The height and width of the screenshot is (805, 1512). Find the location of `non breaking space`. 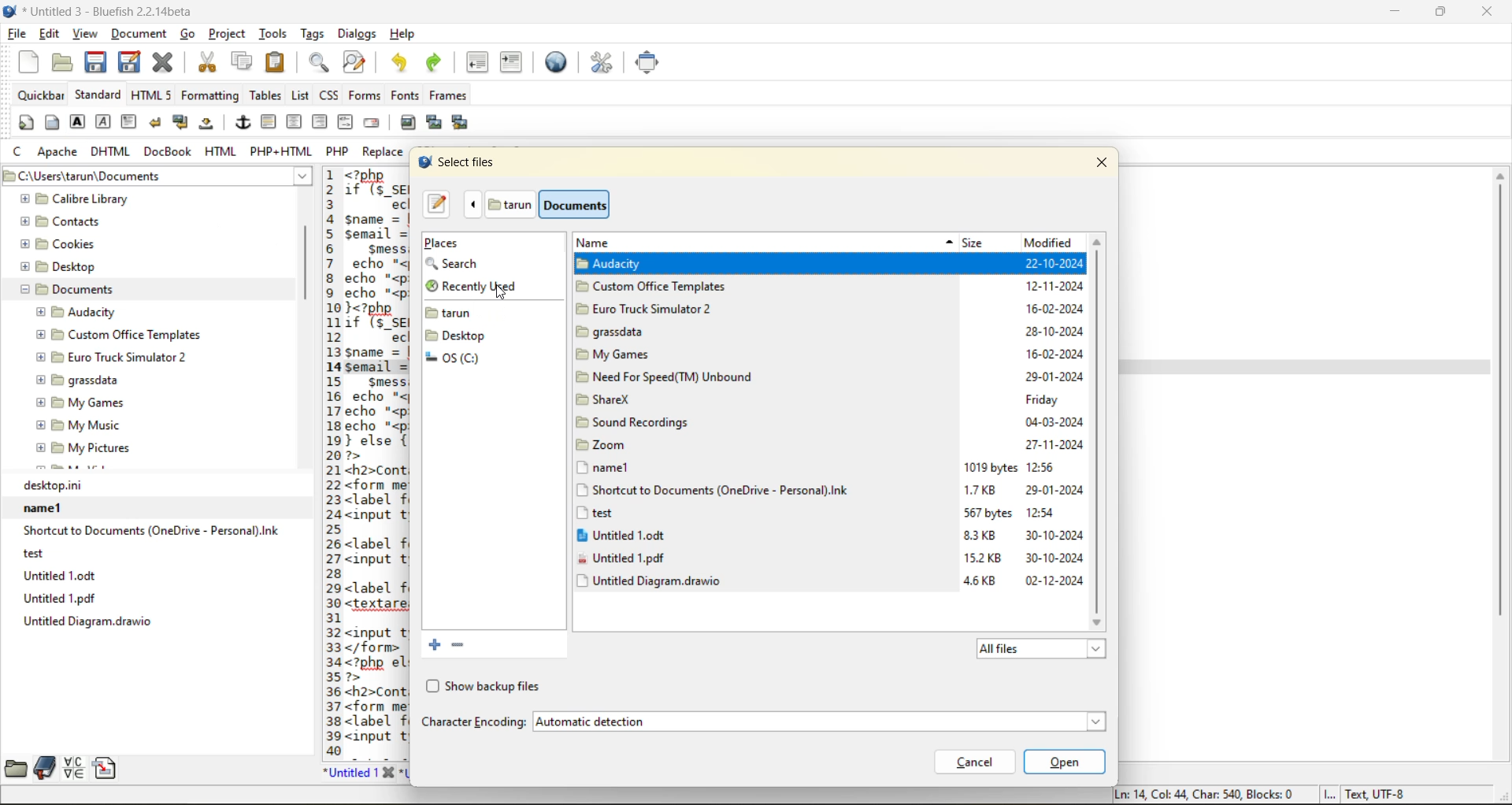

non breaking space is located at coordinates (209, 127).